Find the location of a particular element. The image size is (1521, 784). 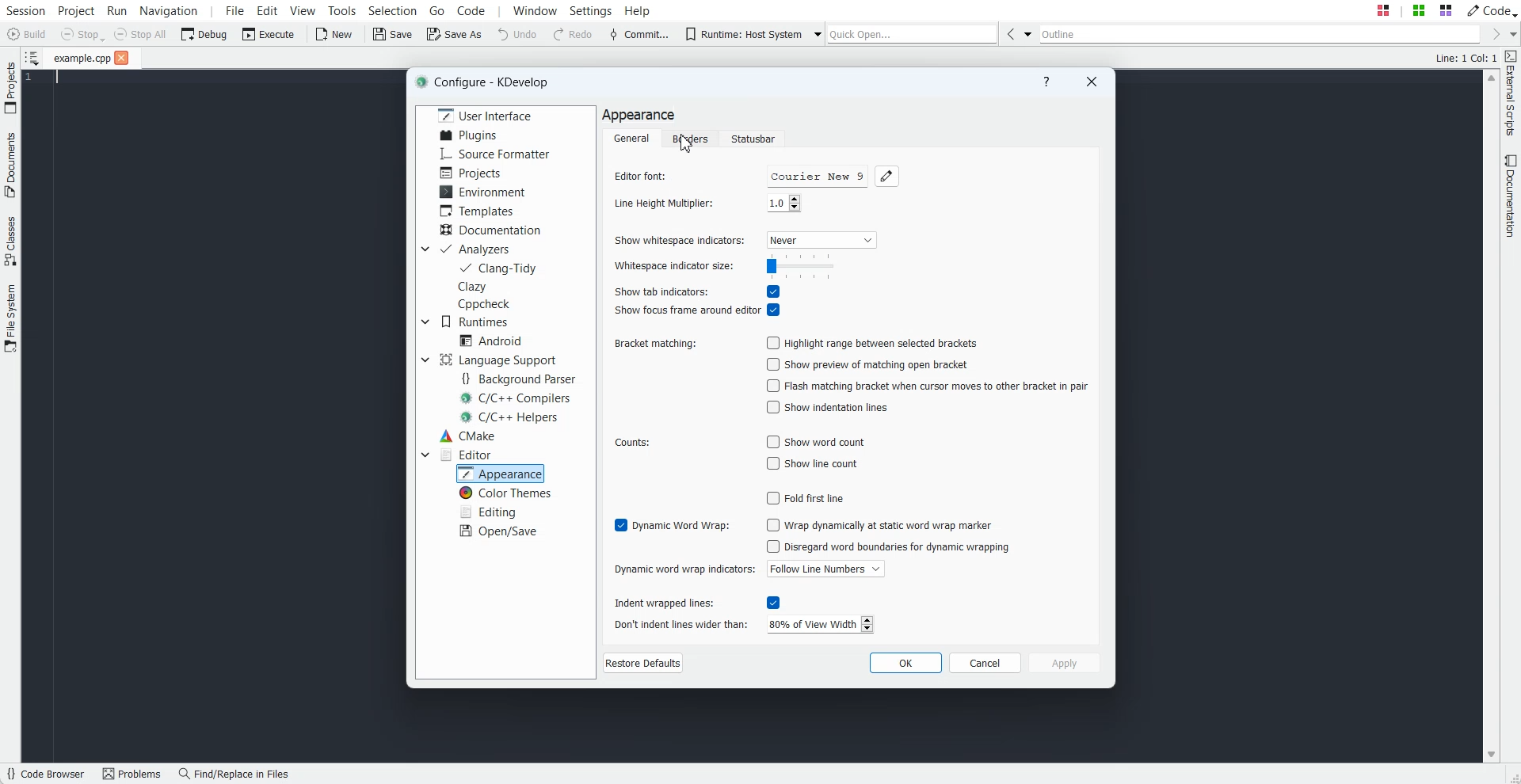

number input field is located at coordinates (820, 625).